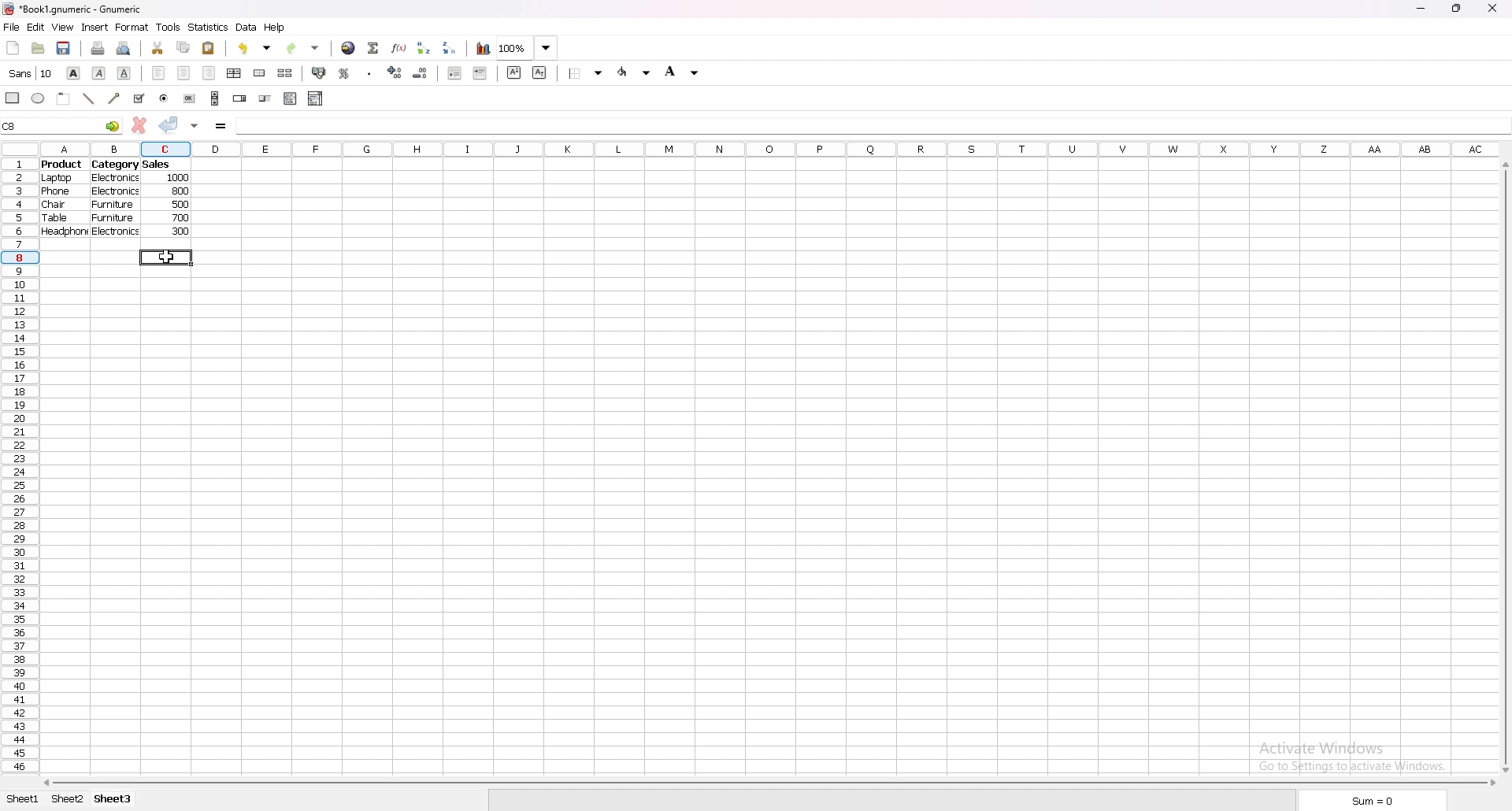  What do you see at coordinates (60, 127) in the screenshot?
I see `selected cell` at bounding box center [60, 127].